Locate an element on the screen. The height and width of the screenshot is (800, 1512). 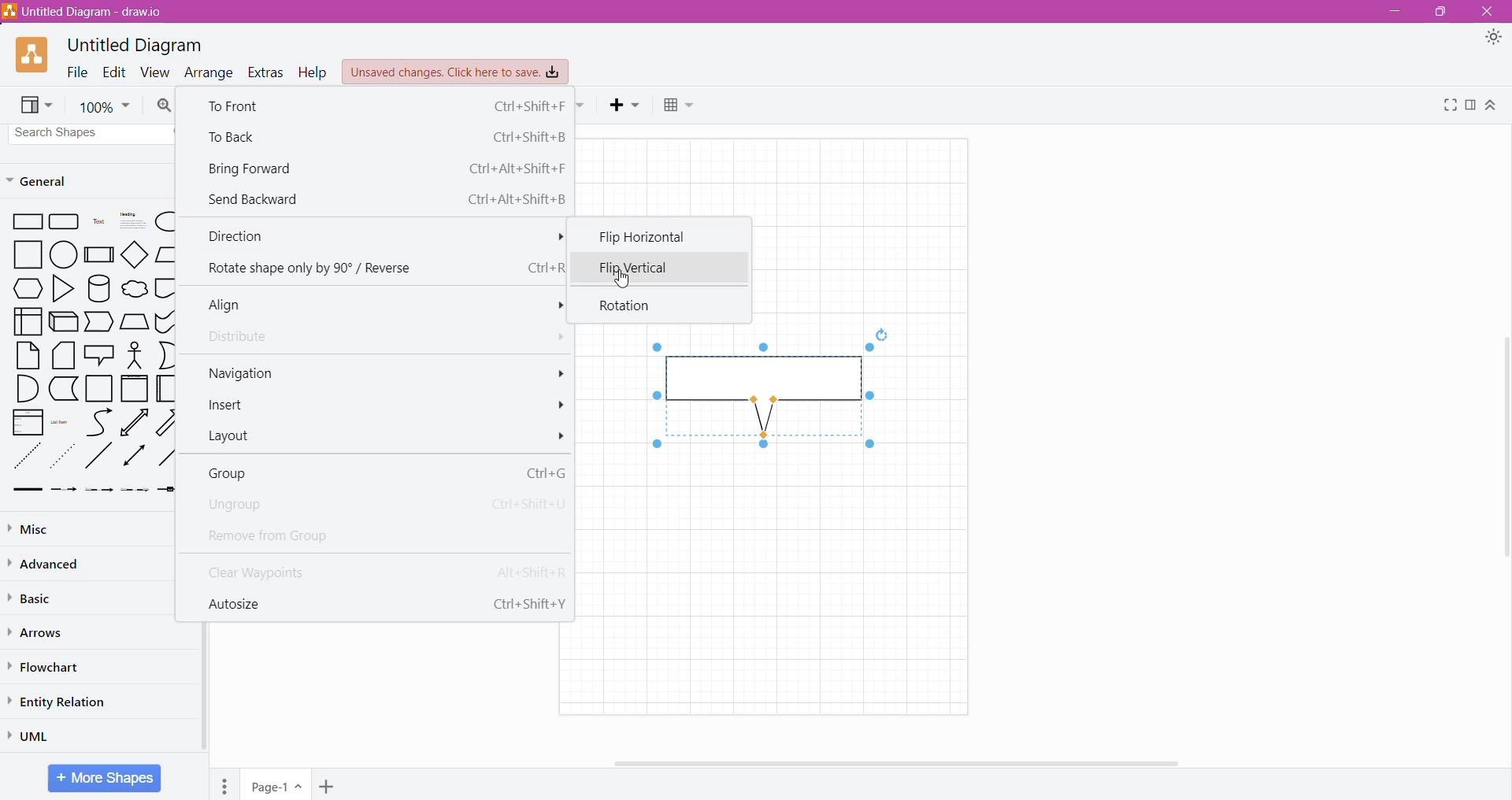
Flip Vertical is located at coordinates (626, 267).